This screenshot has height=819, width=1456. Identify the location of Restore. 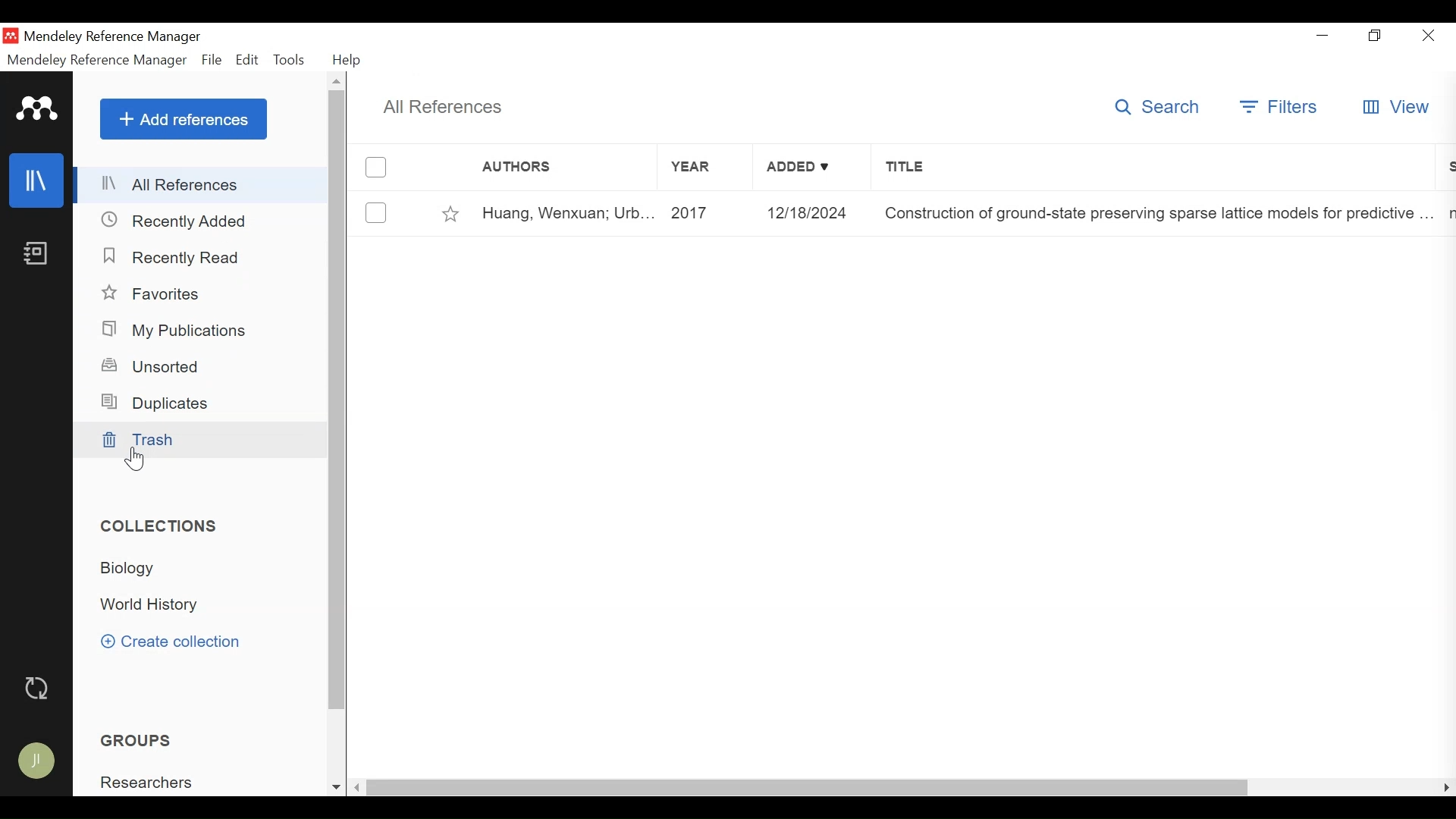
(1373, 36).